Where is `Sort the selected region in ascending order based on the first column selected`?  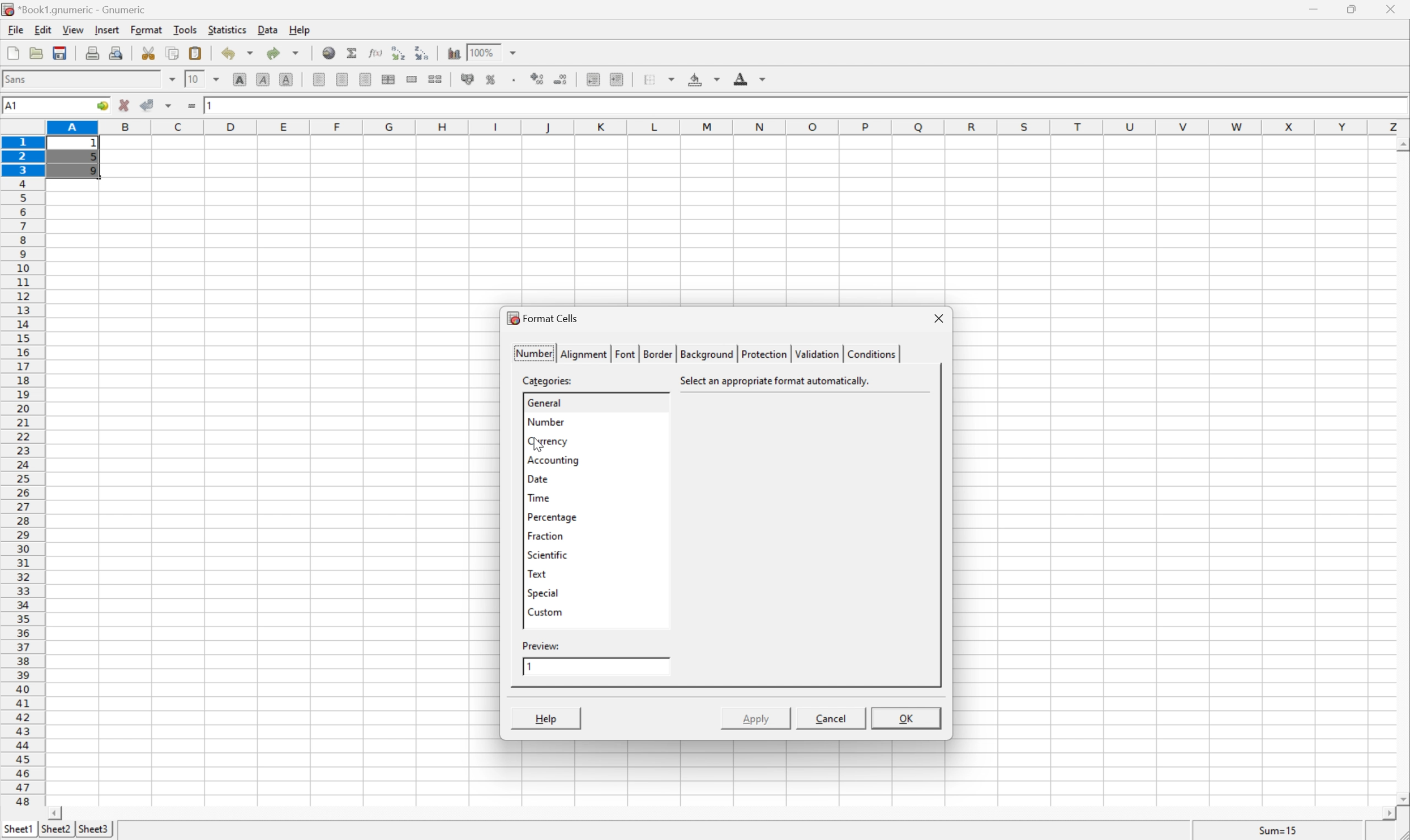
Sort the selected region in ascending order based on the first column selected is located at coordinates (399, 52).